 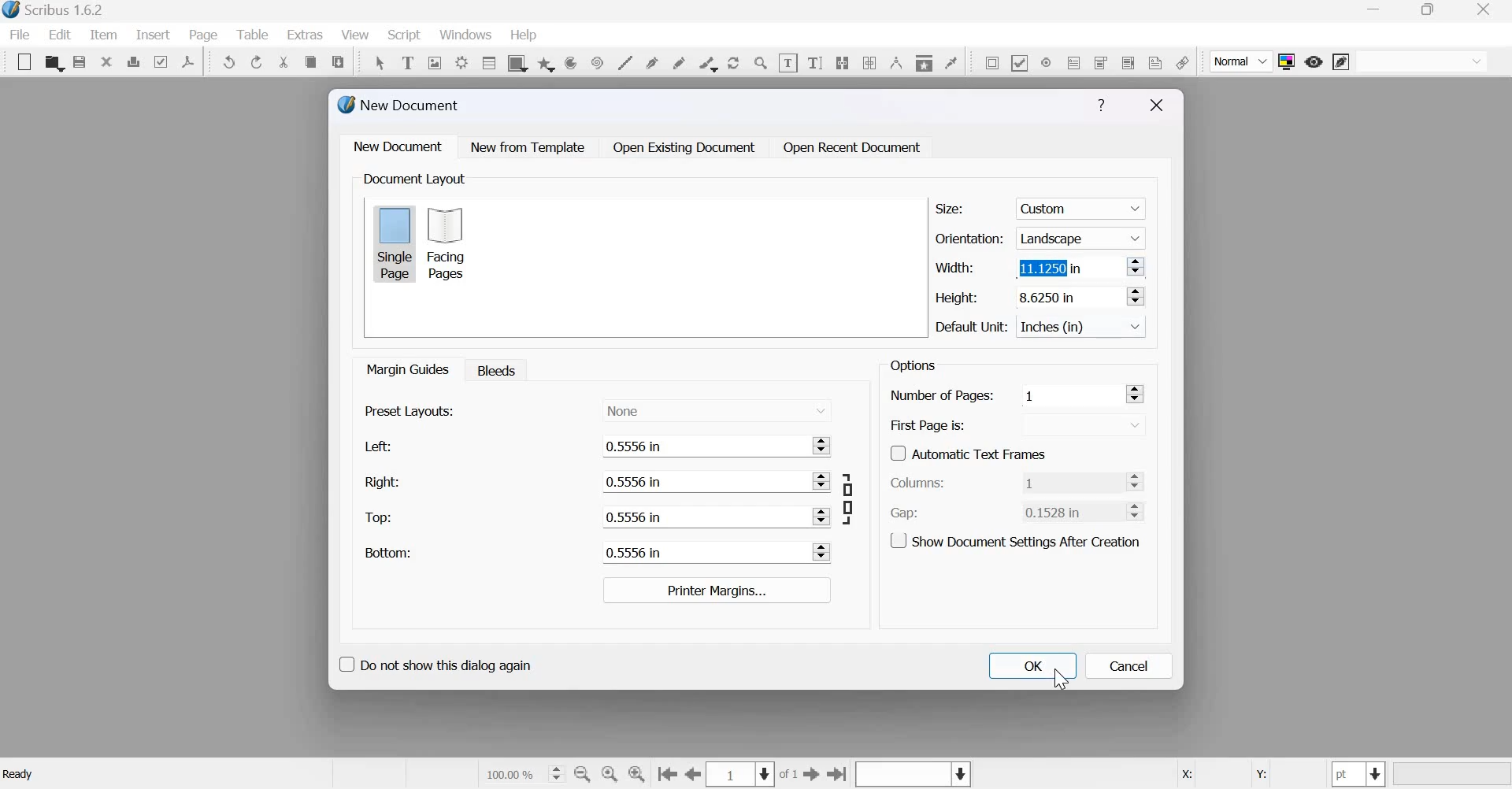 What do you see at coordinates (1422, 61) in the screenshot?
I see `normal vision` at bounding box center [1422, 61].